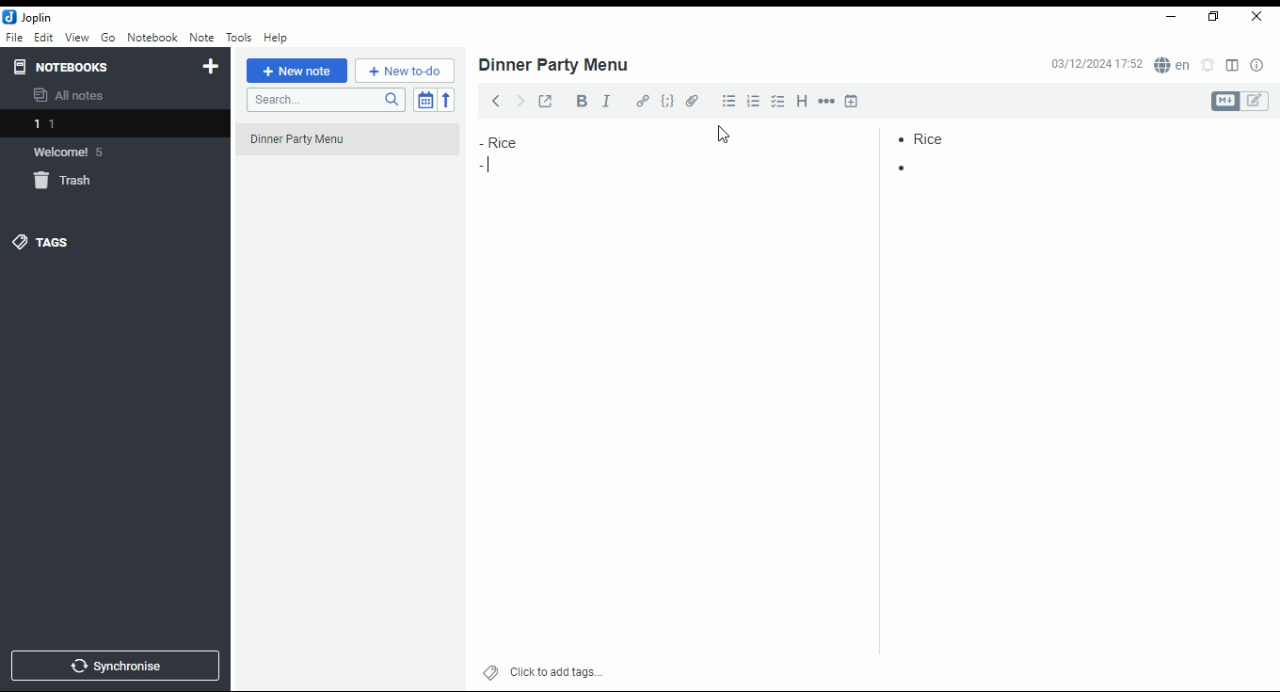 The image size is (1280, 692). I want to click on close, so click(1256, 18).